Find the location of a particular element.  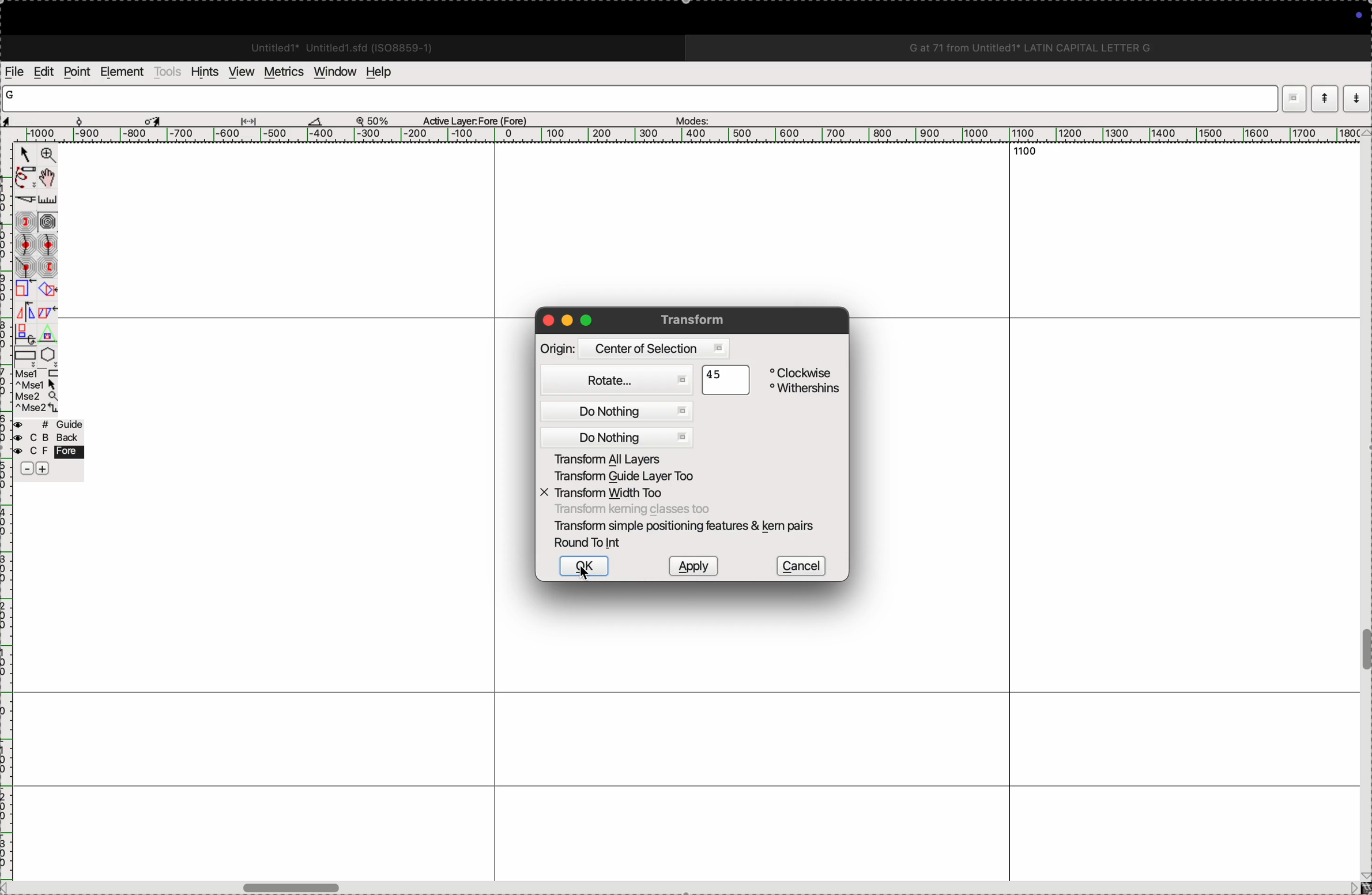

back layer is located at coordinates (48, 438).